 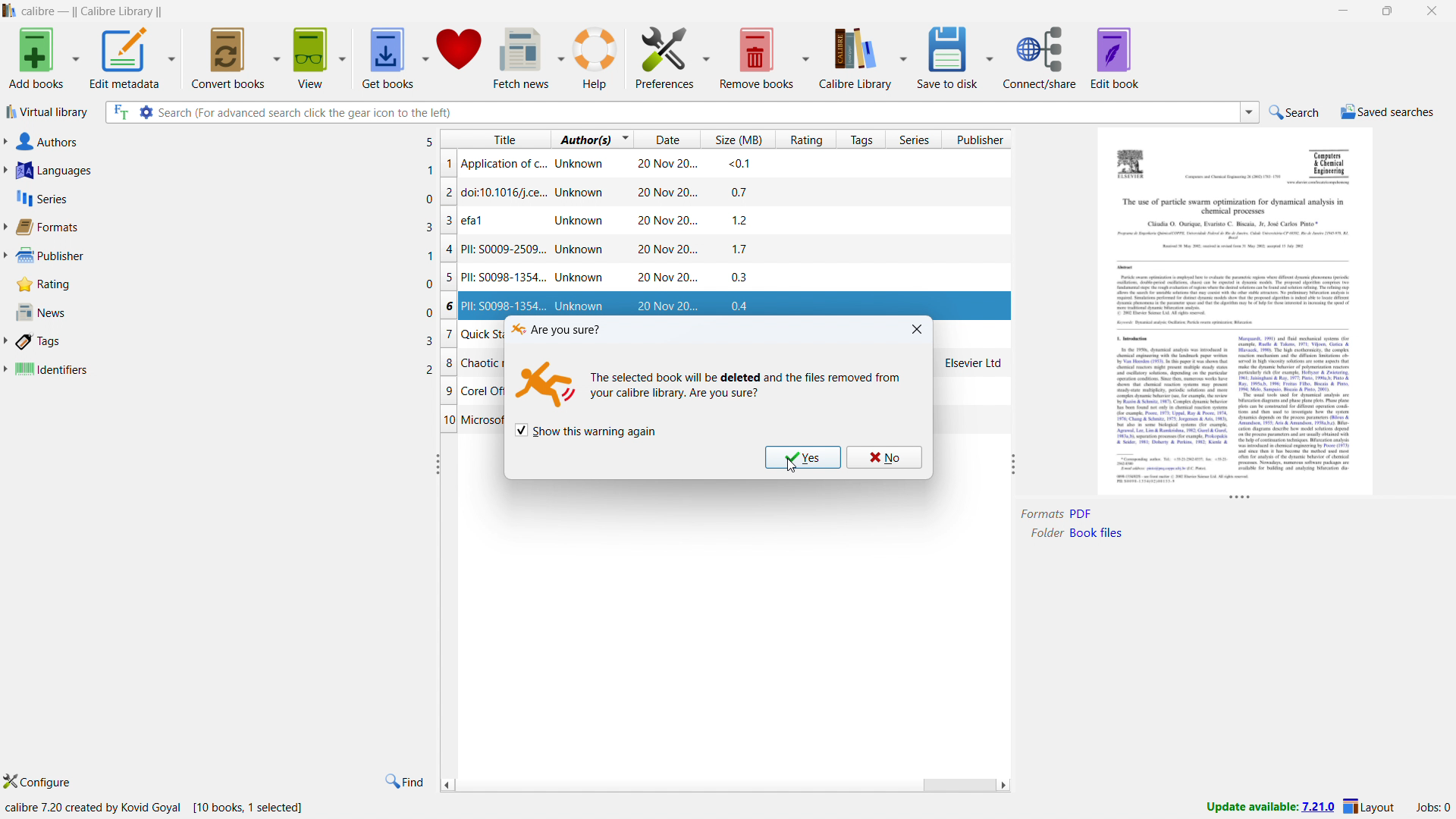 What do you see at coordinates (9, 10) in the screenshot?
I see `logo` at bounding box center [9, 10].